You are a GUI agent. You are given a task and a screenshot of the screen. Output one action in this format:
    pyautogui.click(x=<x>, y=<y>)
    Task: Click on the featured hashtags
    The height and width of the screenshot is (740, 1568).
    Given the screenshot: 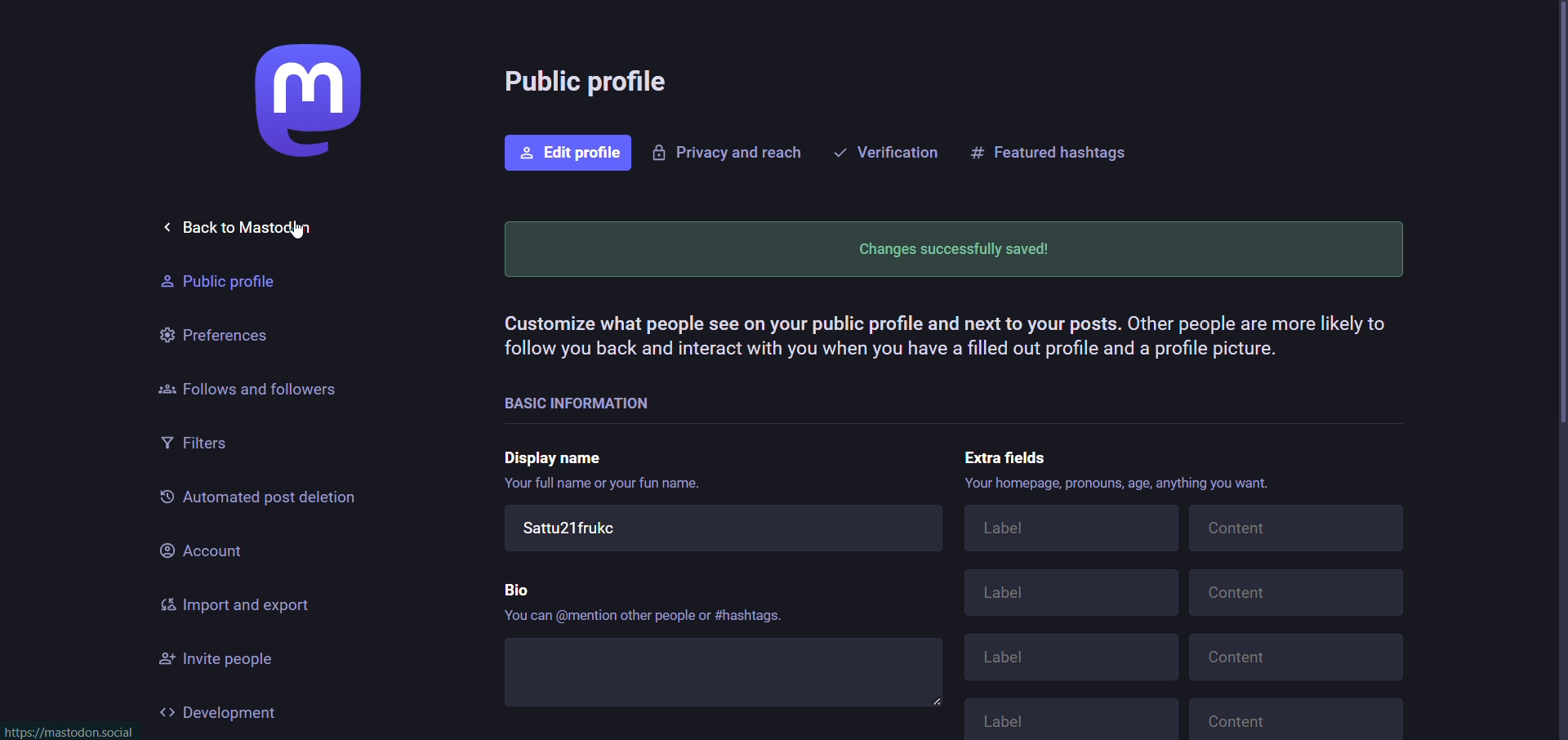 What is the action you would take?
    pyautogui.click(x=1053, y=150)
    